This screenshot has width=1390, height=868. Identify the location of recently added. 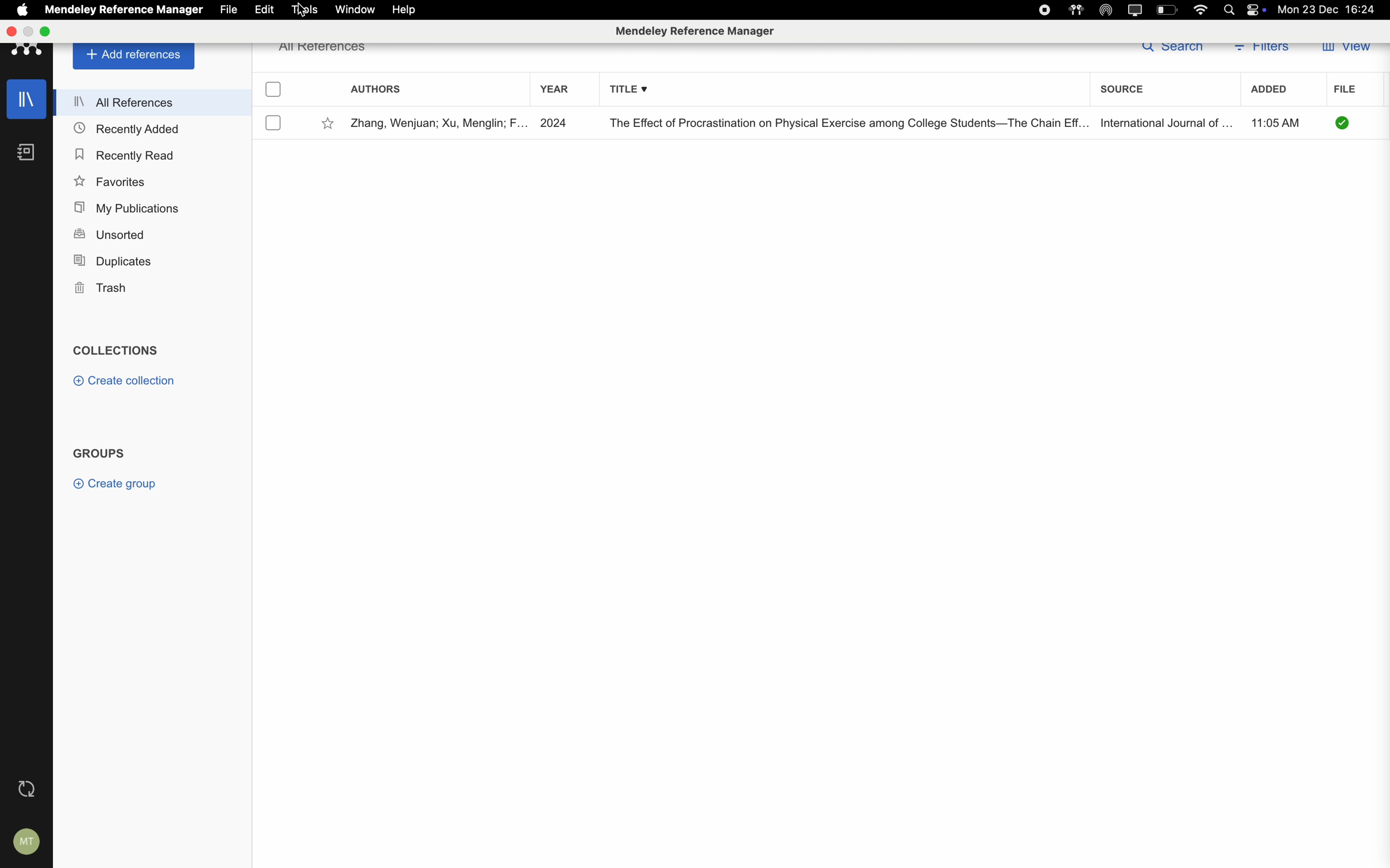
(127, 129).